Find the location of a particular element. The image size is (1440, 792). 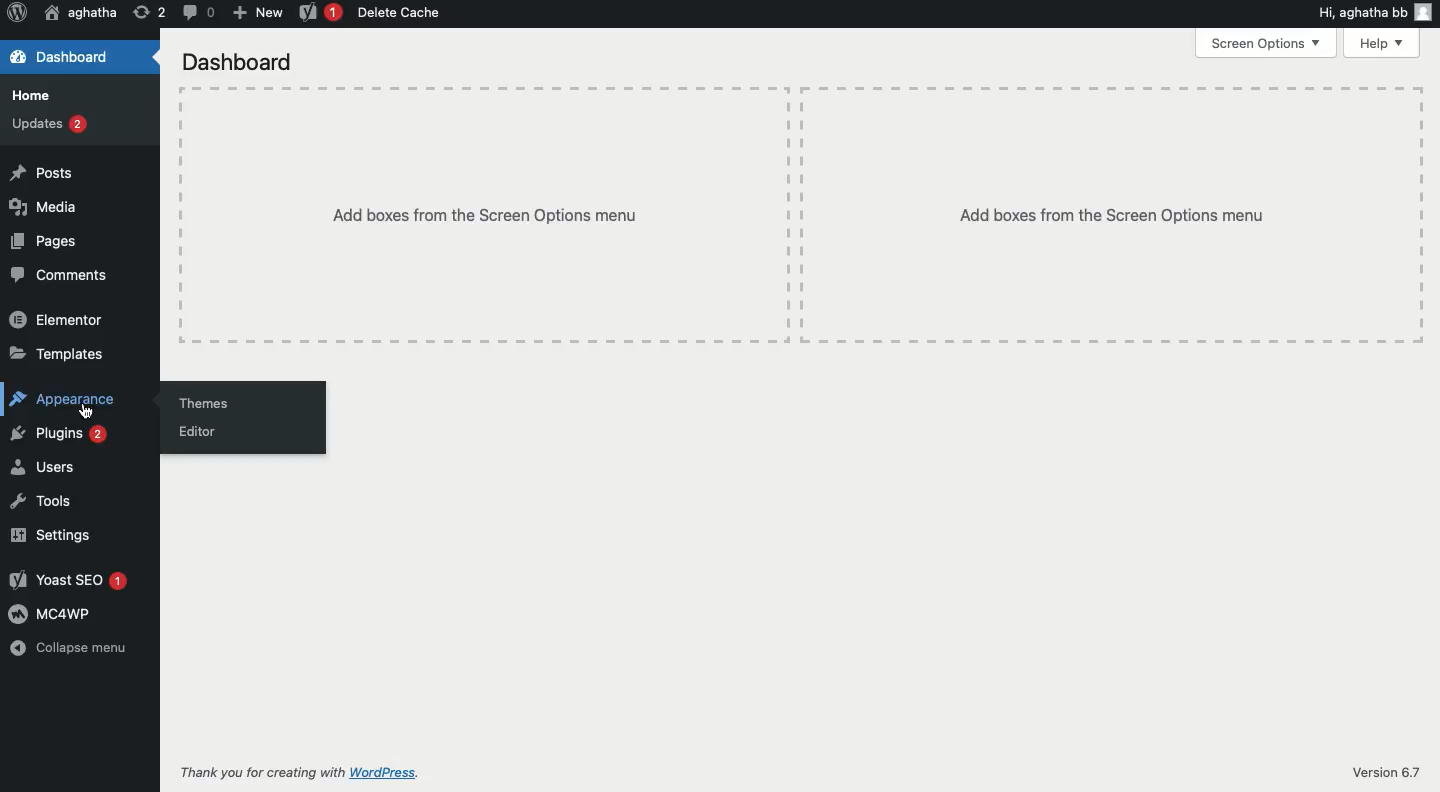

Home is located at coordinates (37, 97).